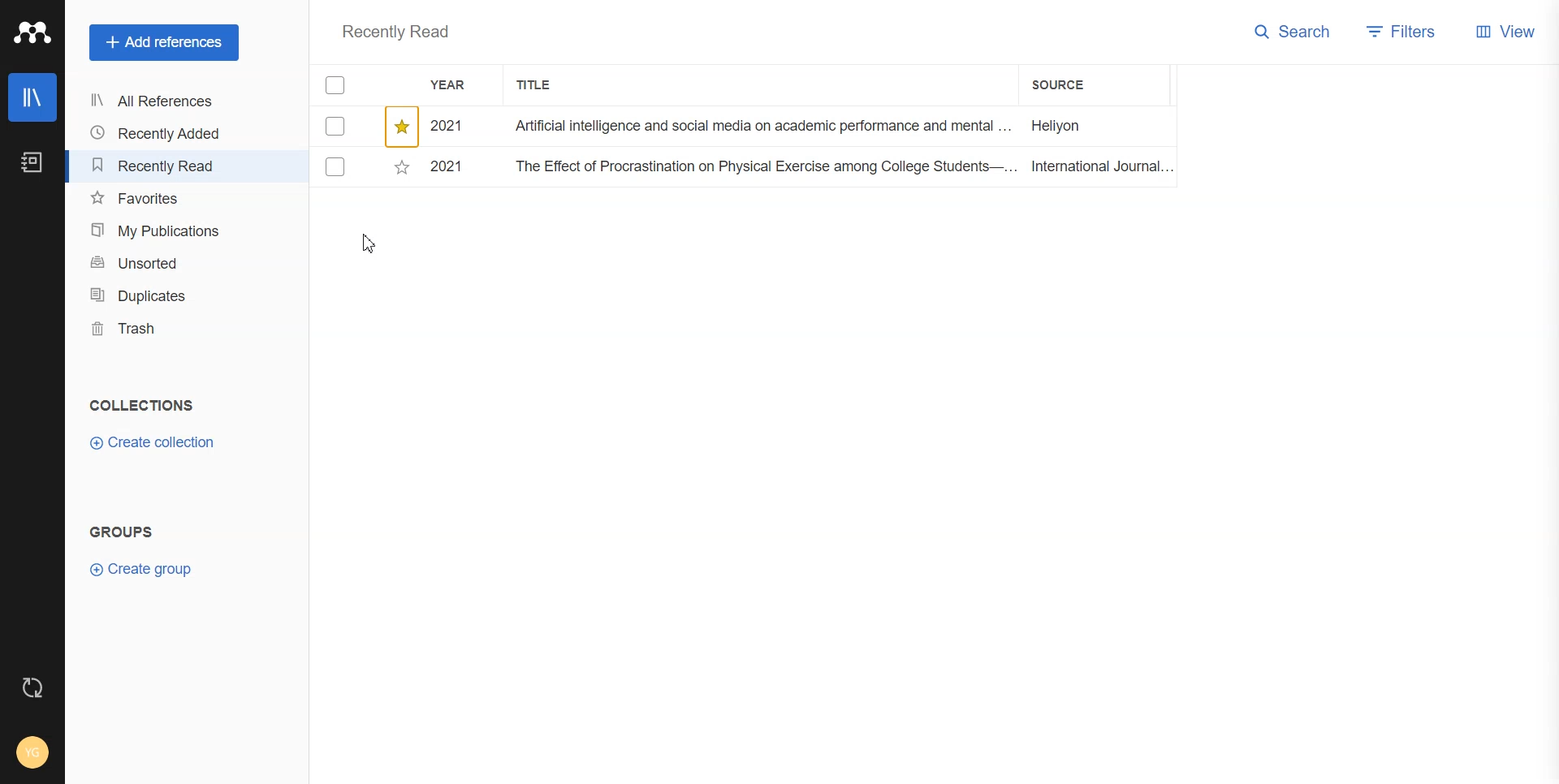 Image resolution: width=1559 pixels, height=784 pixels. I want to click on Filters, so click(1402, 32).